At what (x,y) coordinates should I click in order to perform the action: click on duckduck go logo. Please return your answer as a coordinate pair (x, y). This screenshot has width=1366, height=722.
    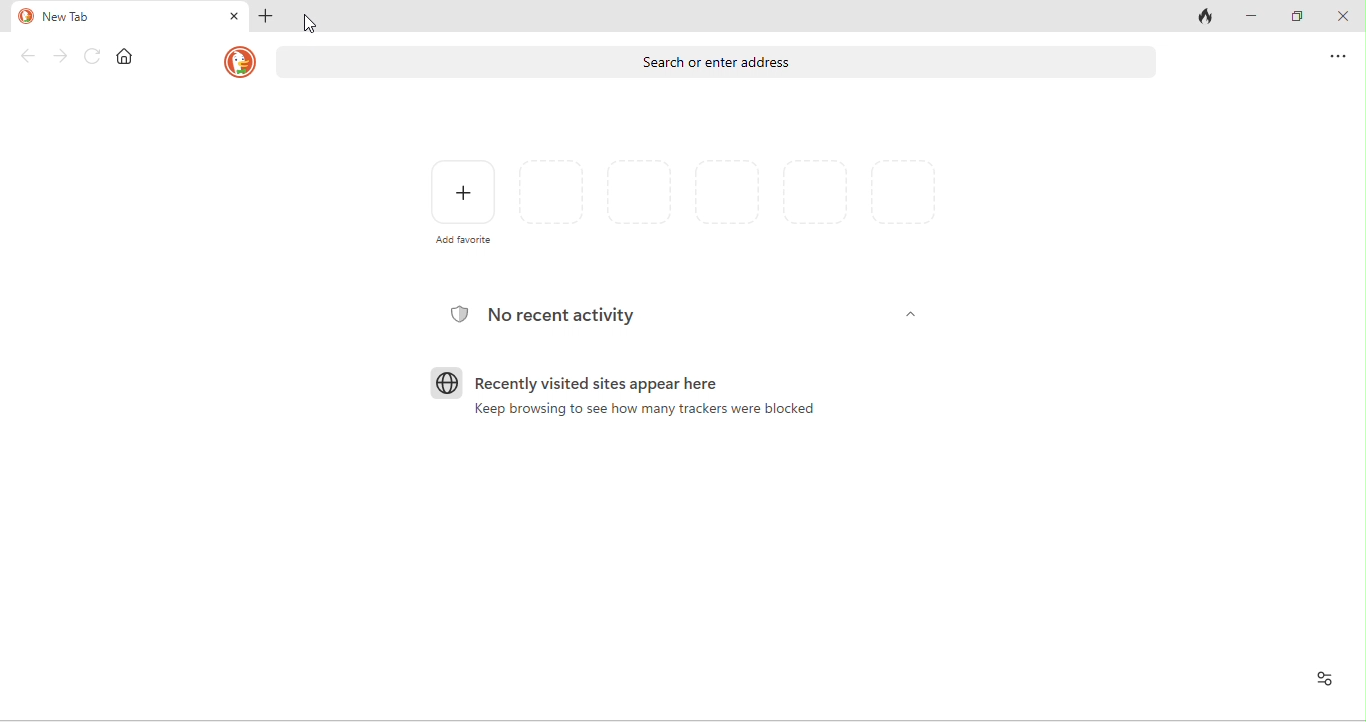
    Looking at the image, I should click on (25, 16).